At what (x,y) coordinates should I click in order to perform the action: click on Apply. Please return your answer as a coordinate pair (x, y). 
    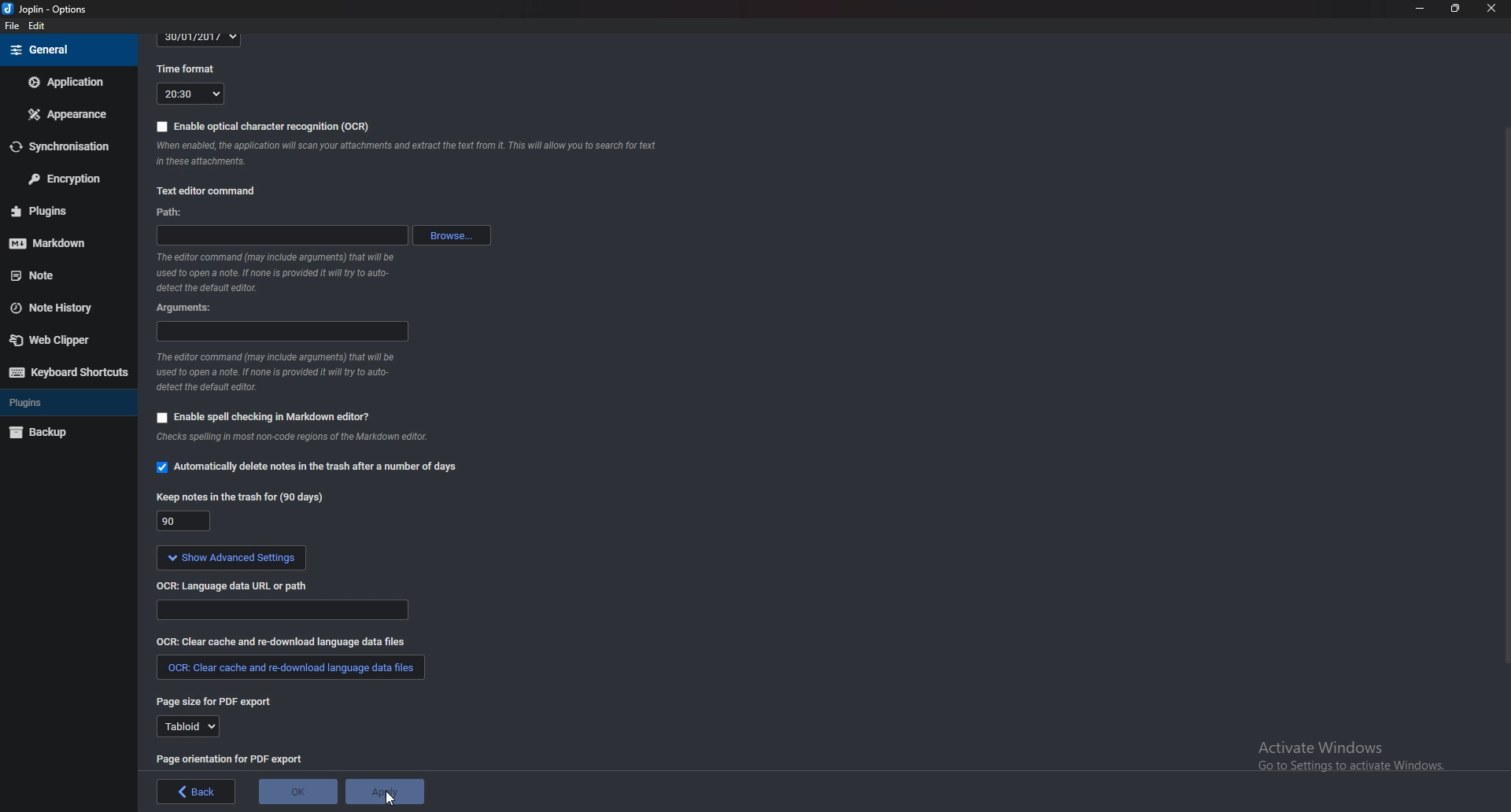
    Looking at the image, I should click on (387, 790).